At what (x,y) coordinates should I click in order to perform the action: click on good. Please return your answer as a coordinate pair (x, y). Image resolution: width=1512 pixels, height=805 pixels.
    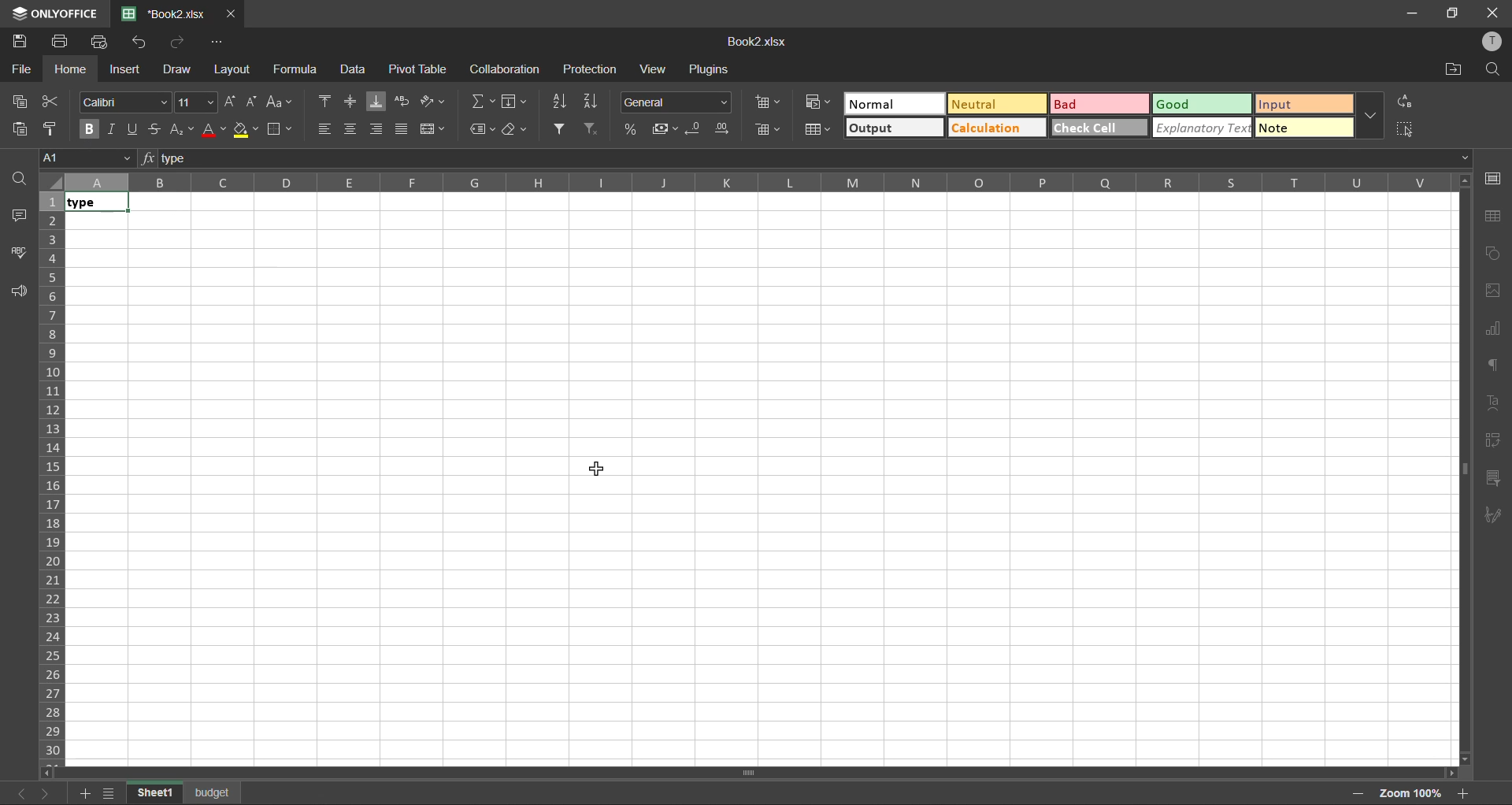
    Looking at the image, I should click on (1204, 106).